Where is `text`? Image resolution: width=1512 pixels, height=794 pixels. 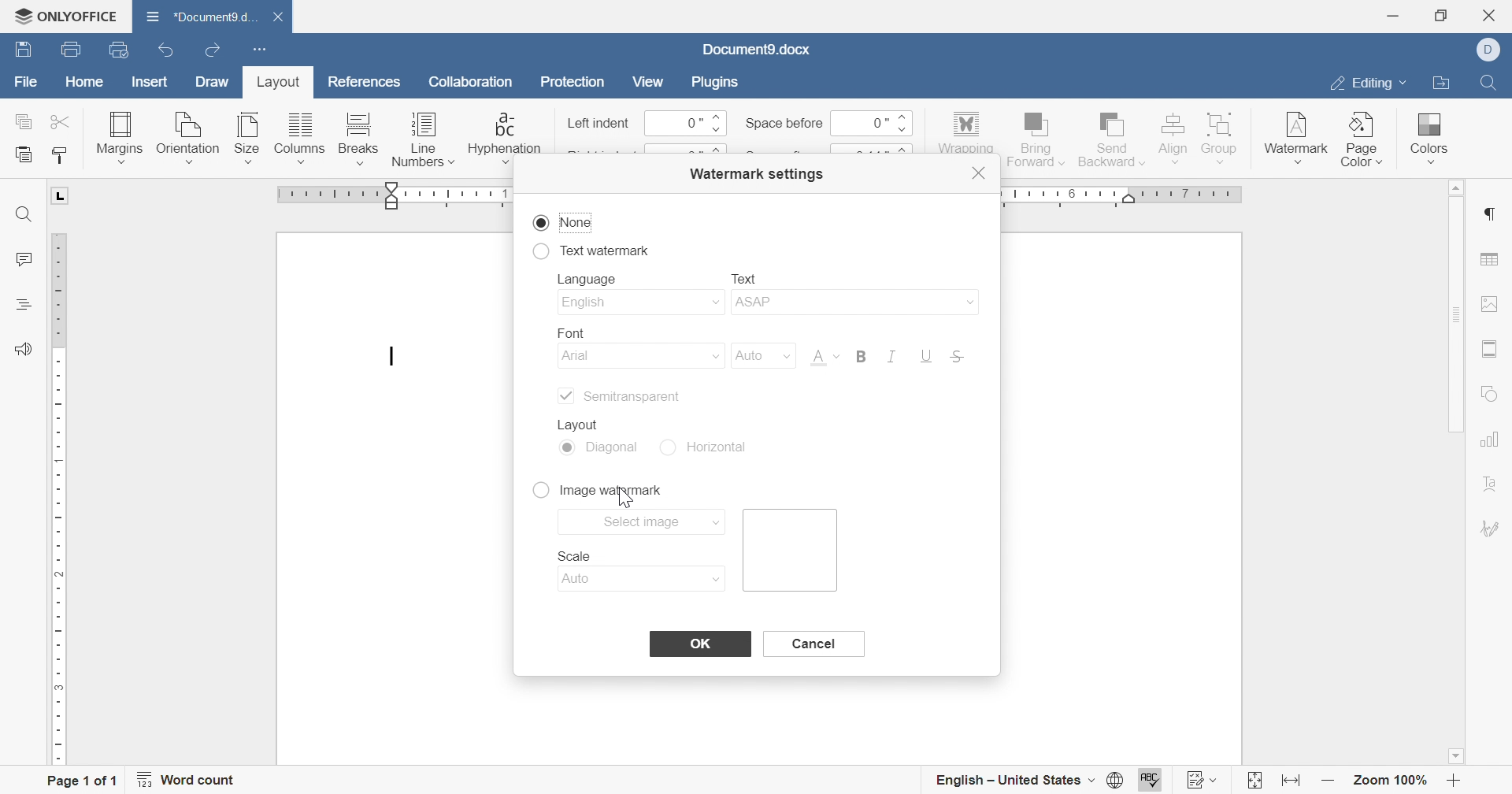 text is located at coordinates (744, 276).